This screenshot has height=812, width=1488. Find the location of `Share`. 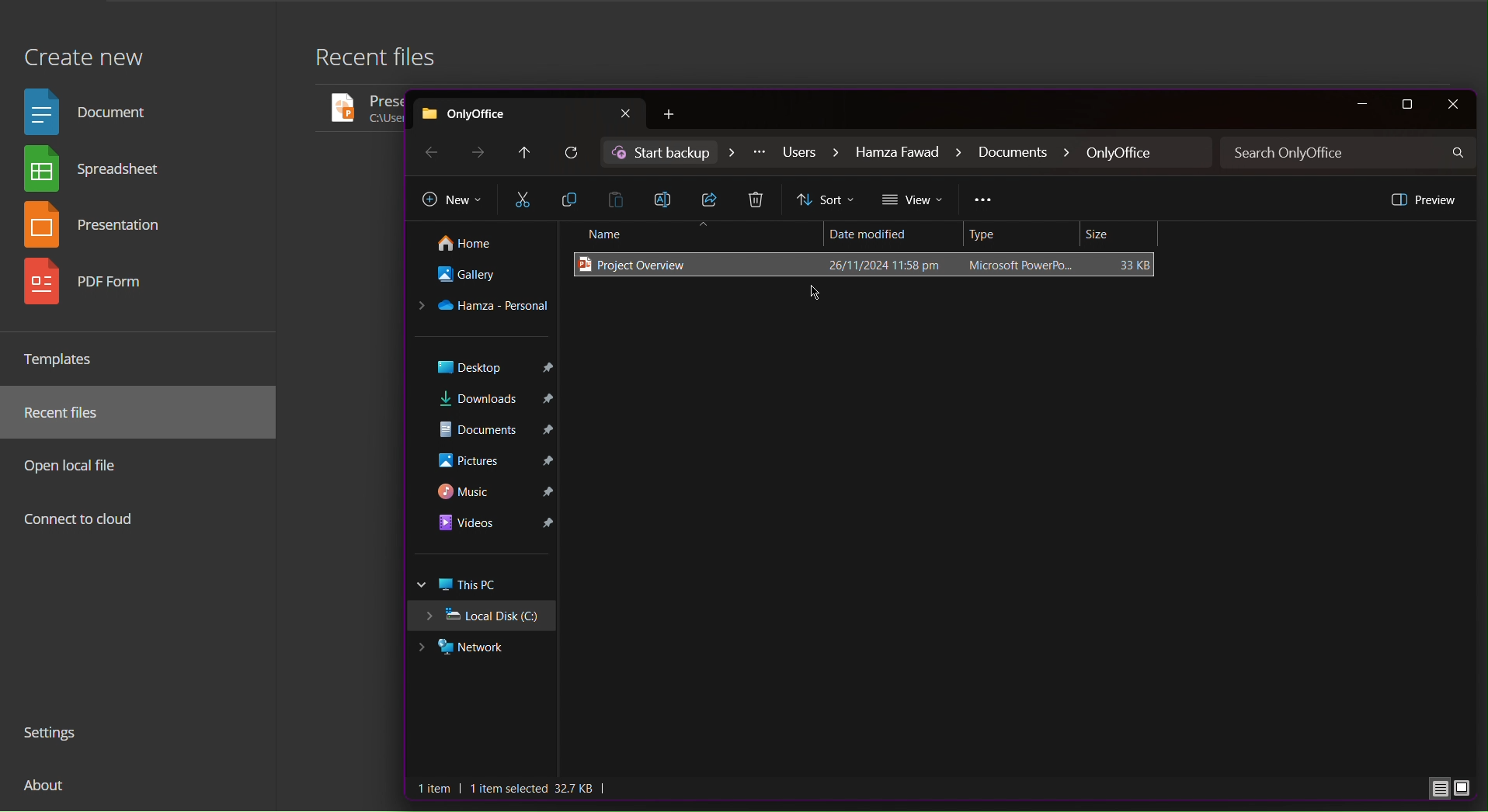

Share is located at coordinates (713, 200).